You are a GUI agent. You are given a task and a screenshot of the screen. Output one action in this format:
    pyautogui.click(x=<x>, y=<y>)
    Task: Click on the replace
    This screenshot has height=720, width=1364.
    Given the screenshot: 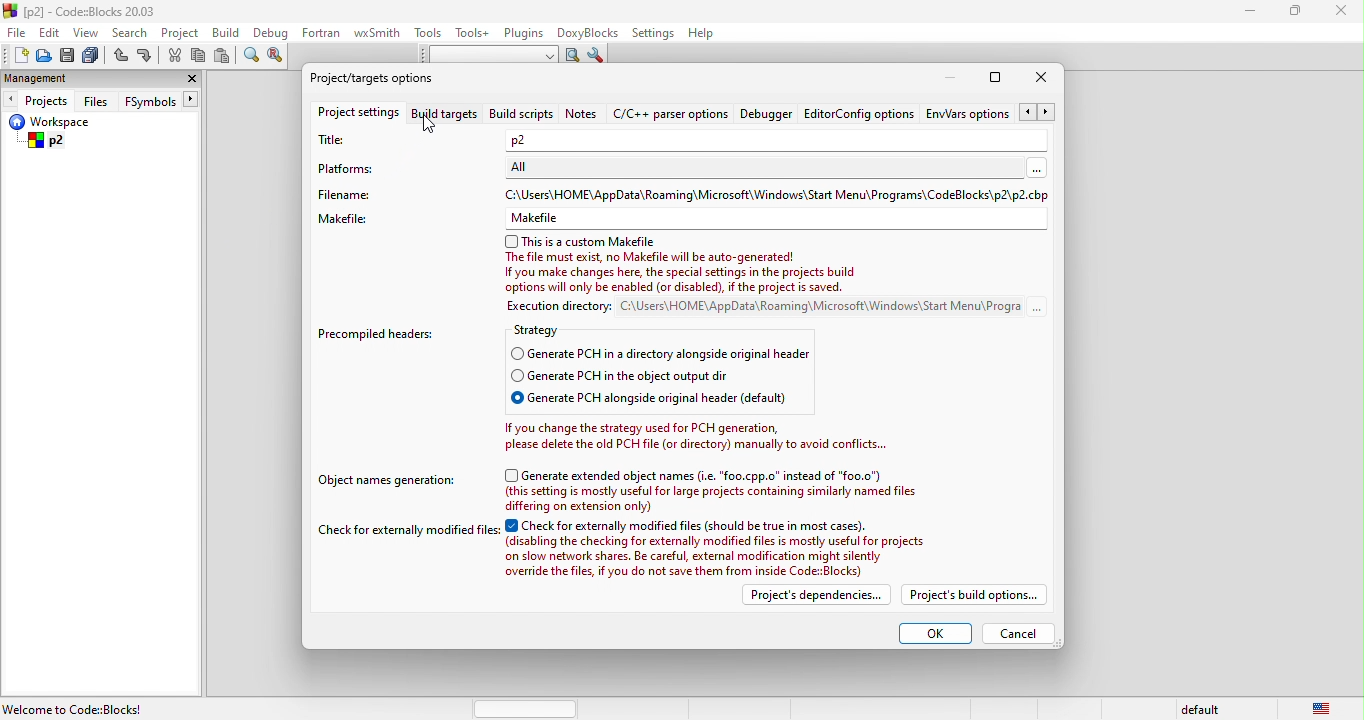 What is the action you would take?
    pyautogui.click(x=279, y=56)
    